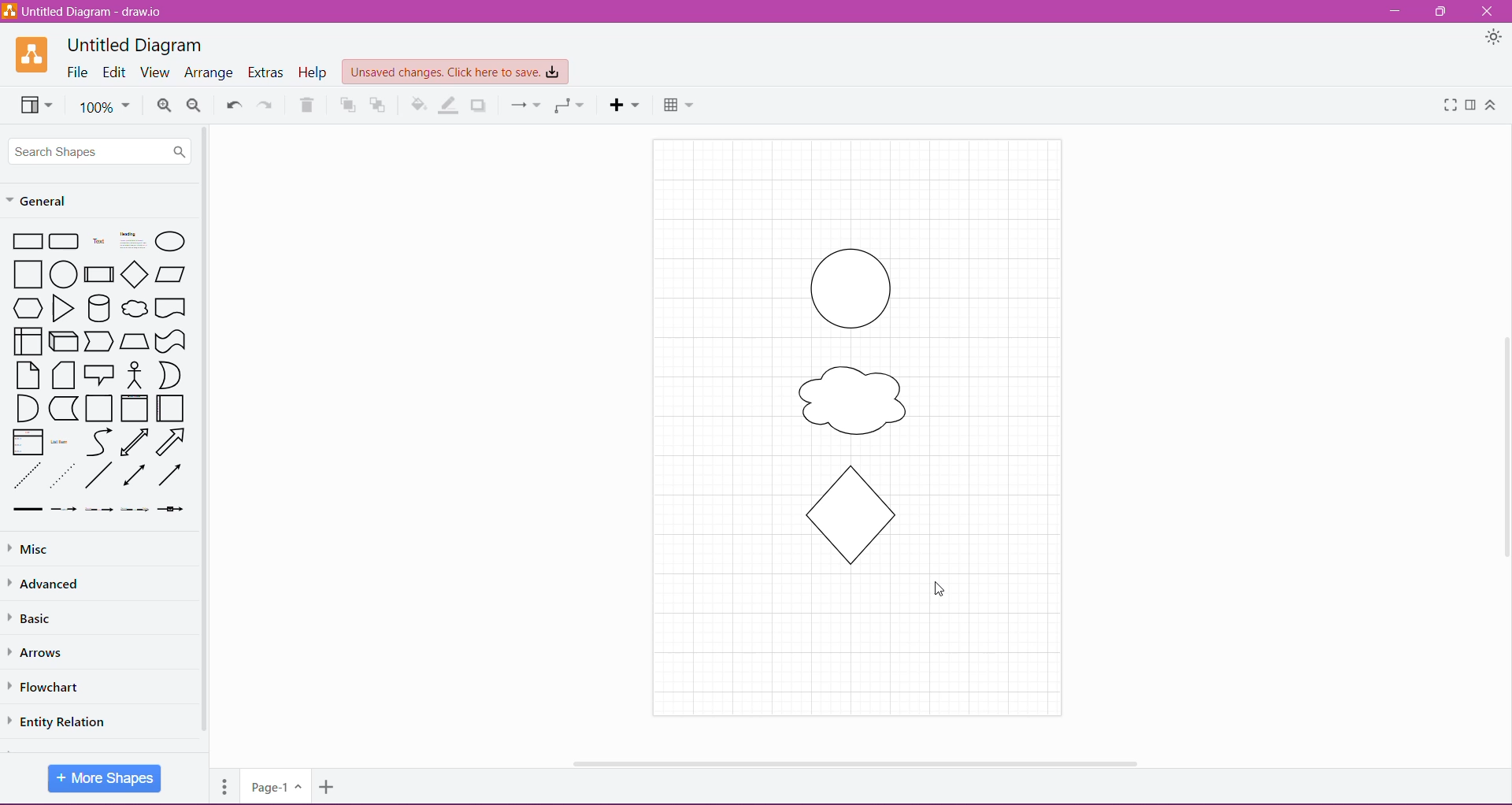 This screenshot has height=805, width=1512. Describe the element at coordinates (47, 199) in the screenshot. I see `General` at that location.